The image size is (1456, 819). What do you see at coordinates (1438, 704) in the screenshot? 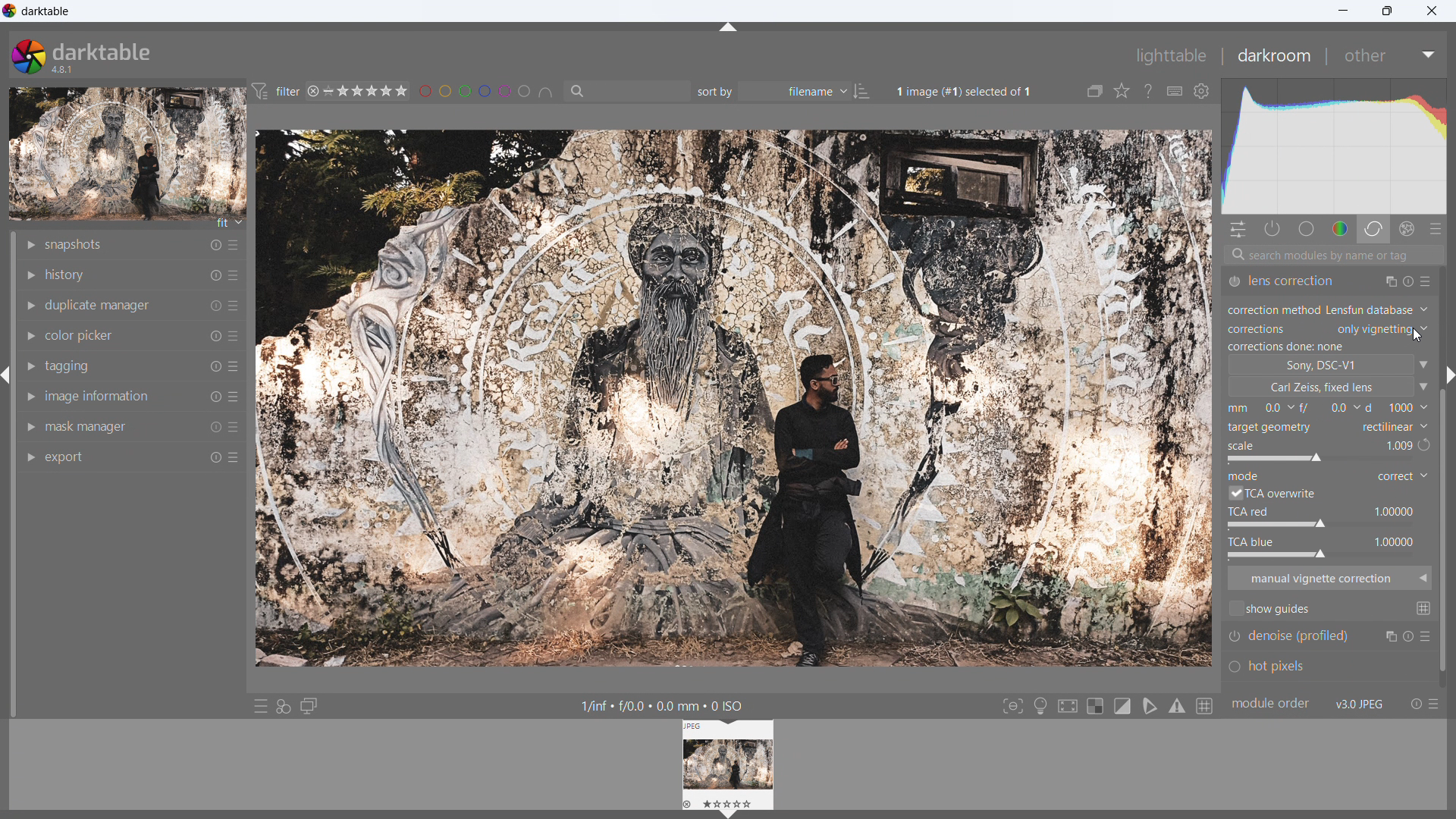
I see `presets` at bounding box center [1438, 704].